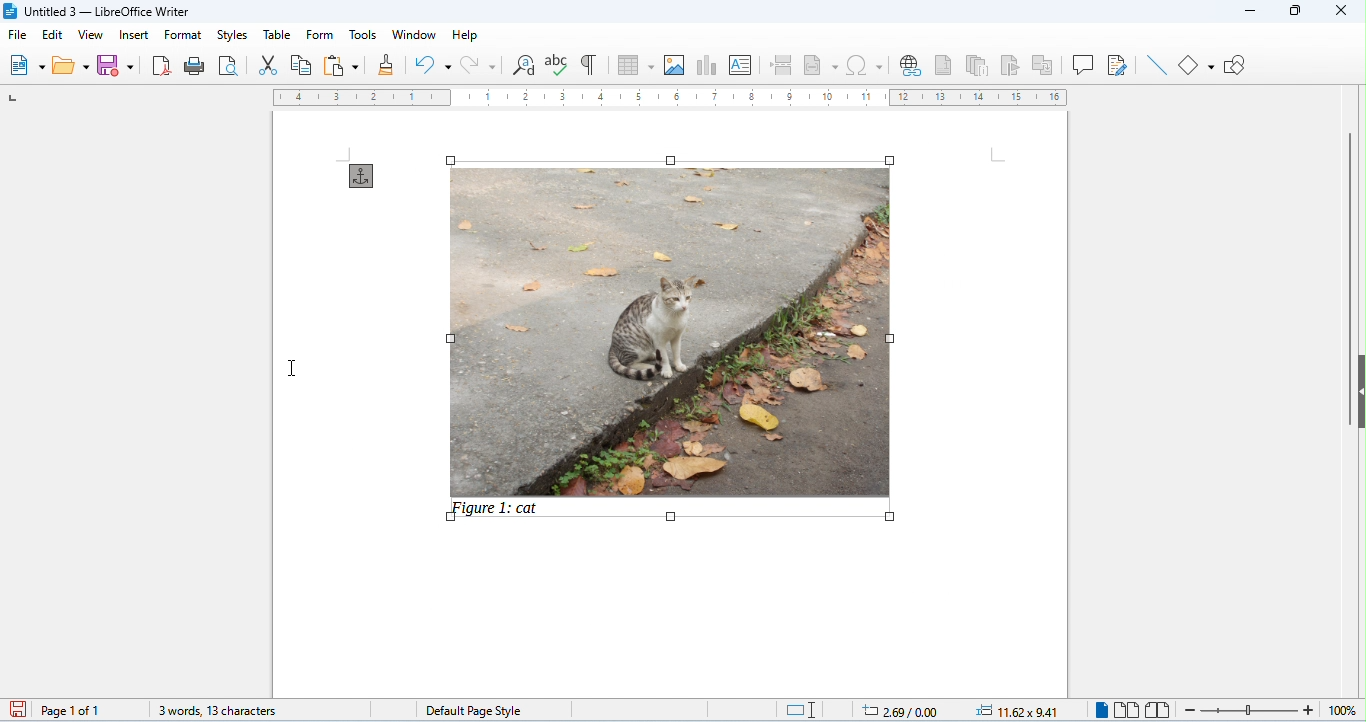 The image size is (1366, 722). I want to click on table, so click(637, 66).